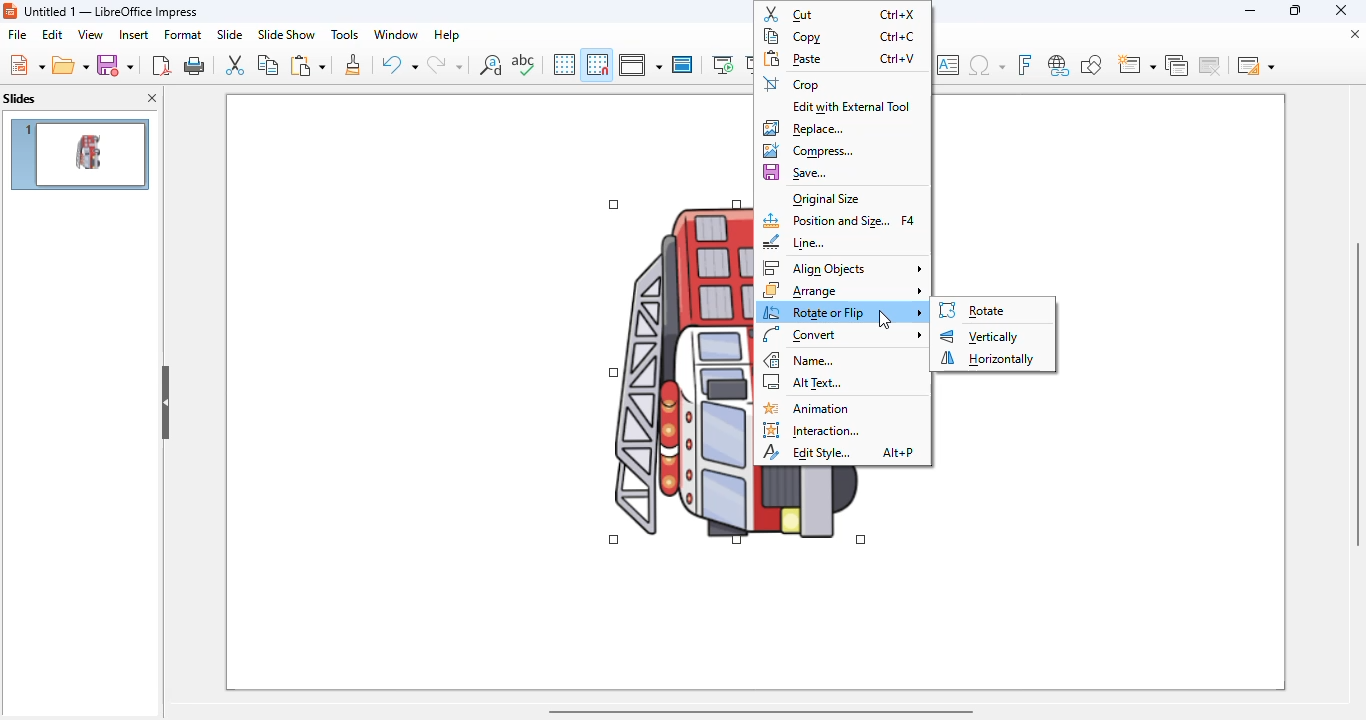 The width and height of the screenshot is (1366, 720). I want to click on edit style, so click(839, 453).